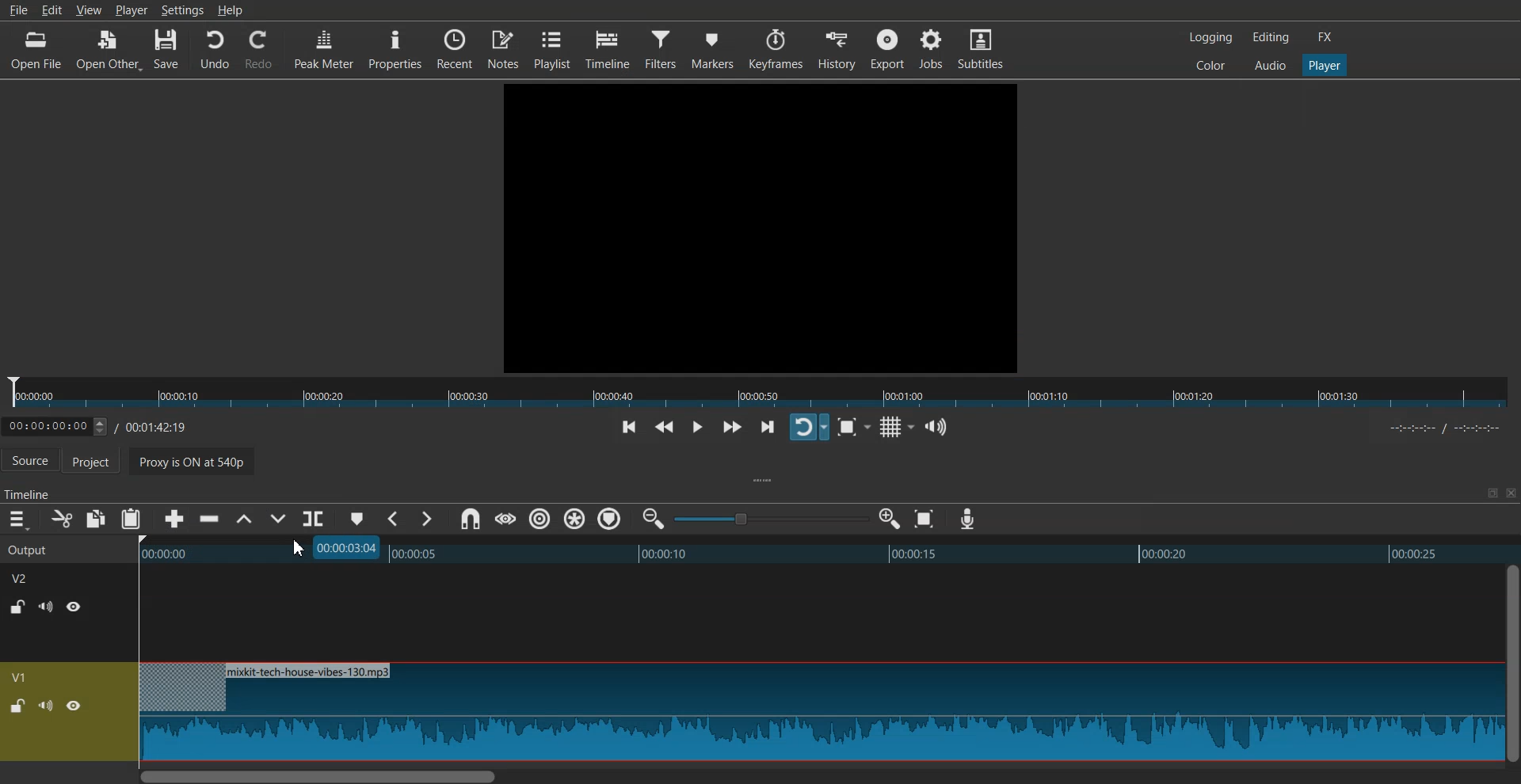 Image resolution: width=1521 pixels, height=784 pixels. I want to click on Ripple all markers, so click(575, 519).